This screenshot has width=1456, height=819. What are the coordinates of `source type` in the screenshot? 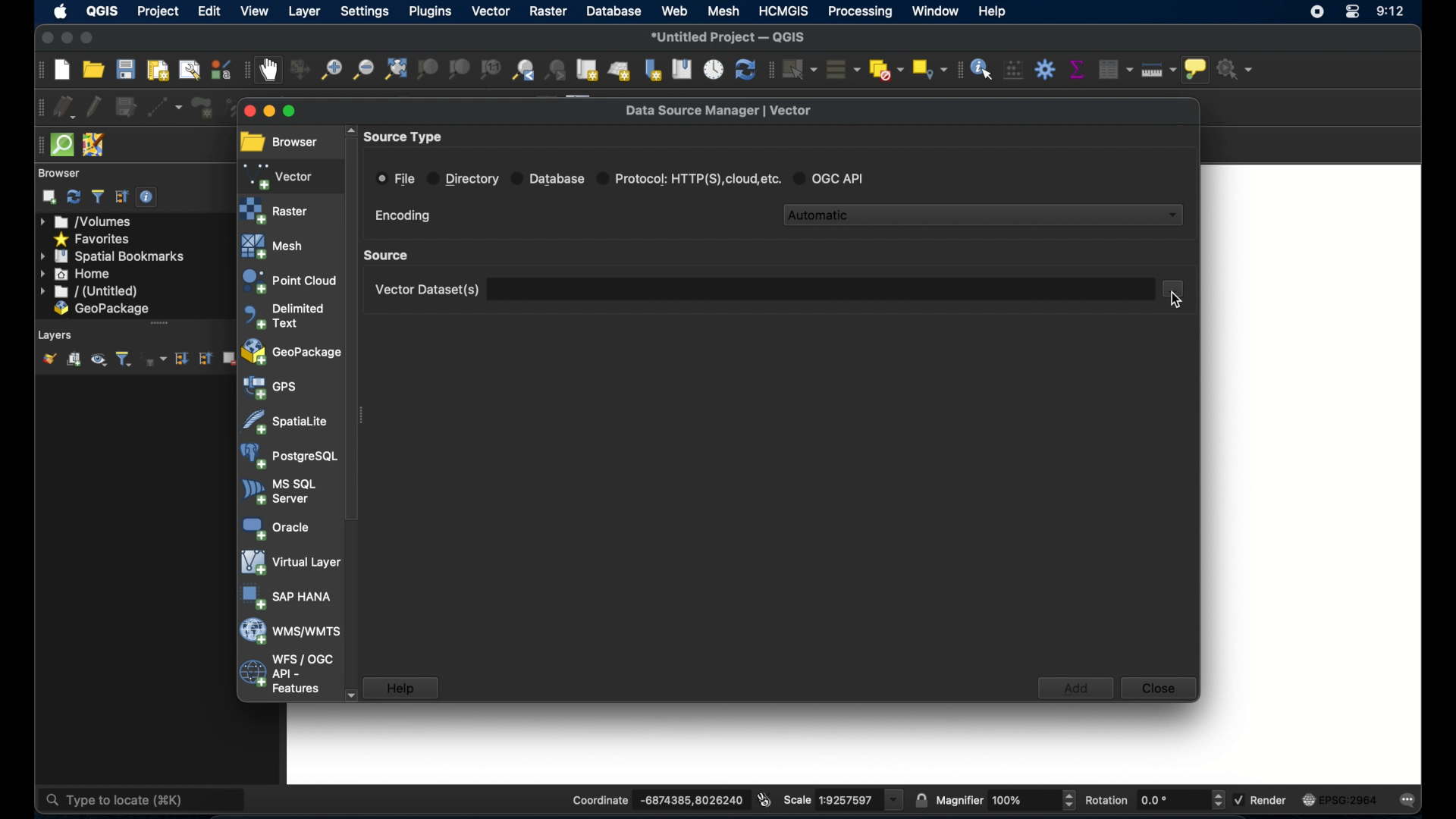 It's located at (406, 137).